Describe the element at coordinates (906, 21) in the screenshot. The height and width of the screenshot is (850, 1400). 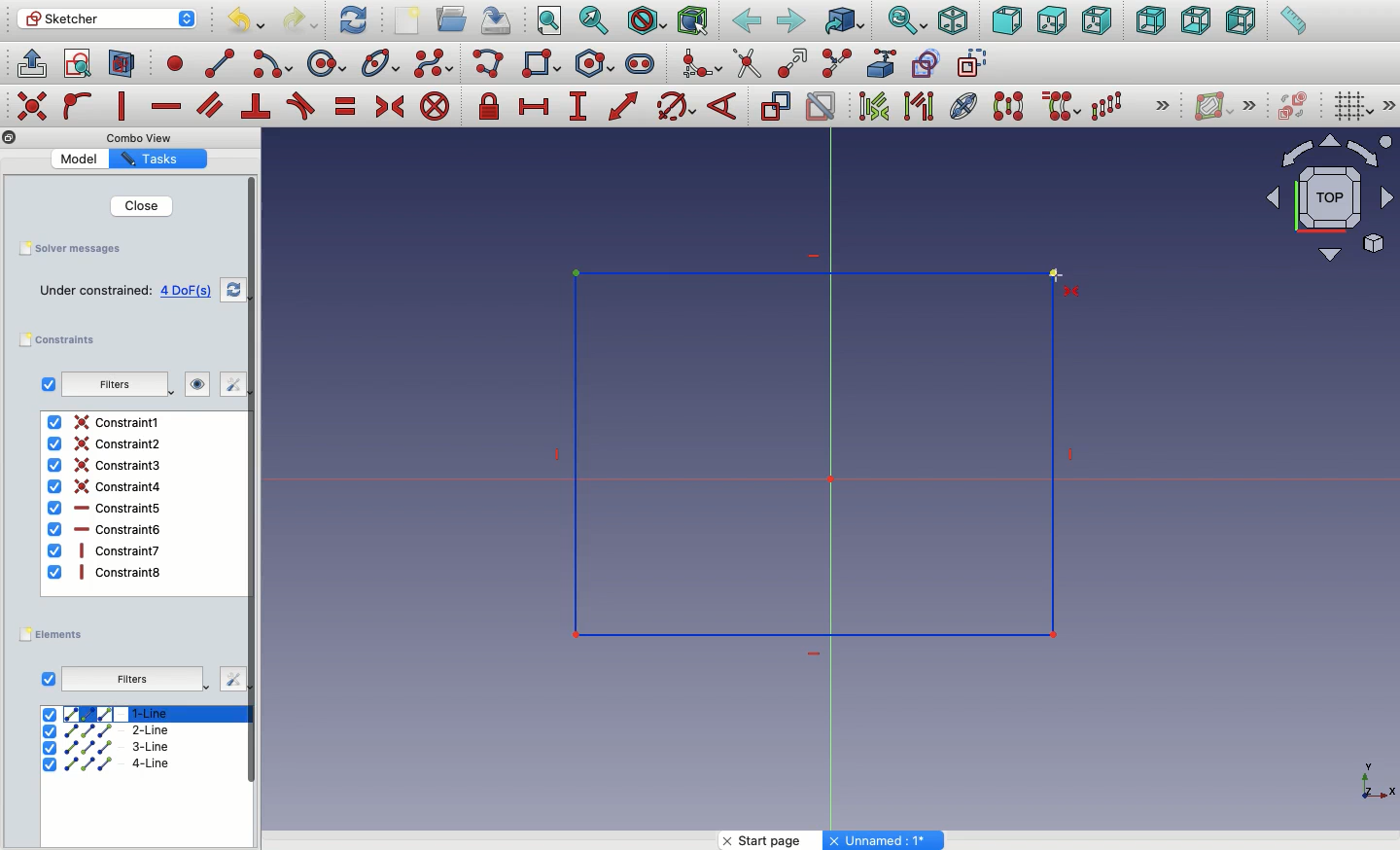
I see `Sync view` at that location.